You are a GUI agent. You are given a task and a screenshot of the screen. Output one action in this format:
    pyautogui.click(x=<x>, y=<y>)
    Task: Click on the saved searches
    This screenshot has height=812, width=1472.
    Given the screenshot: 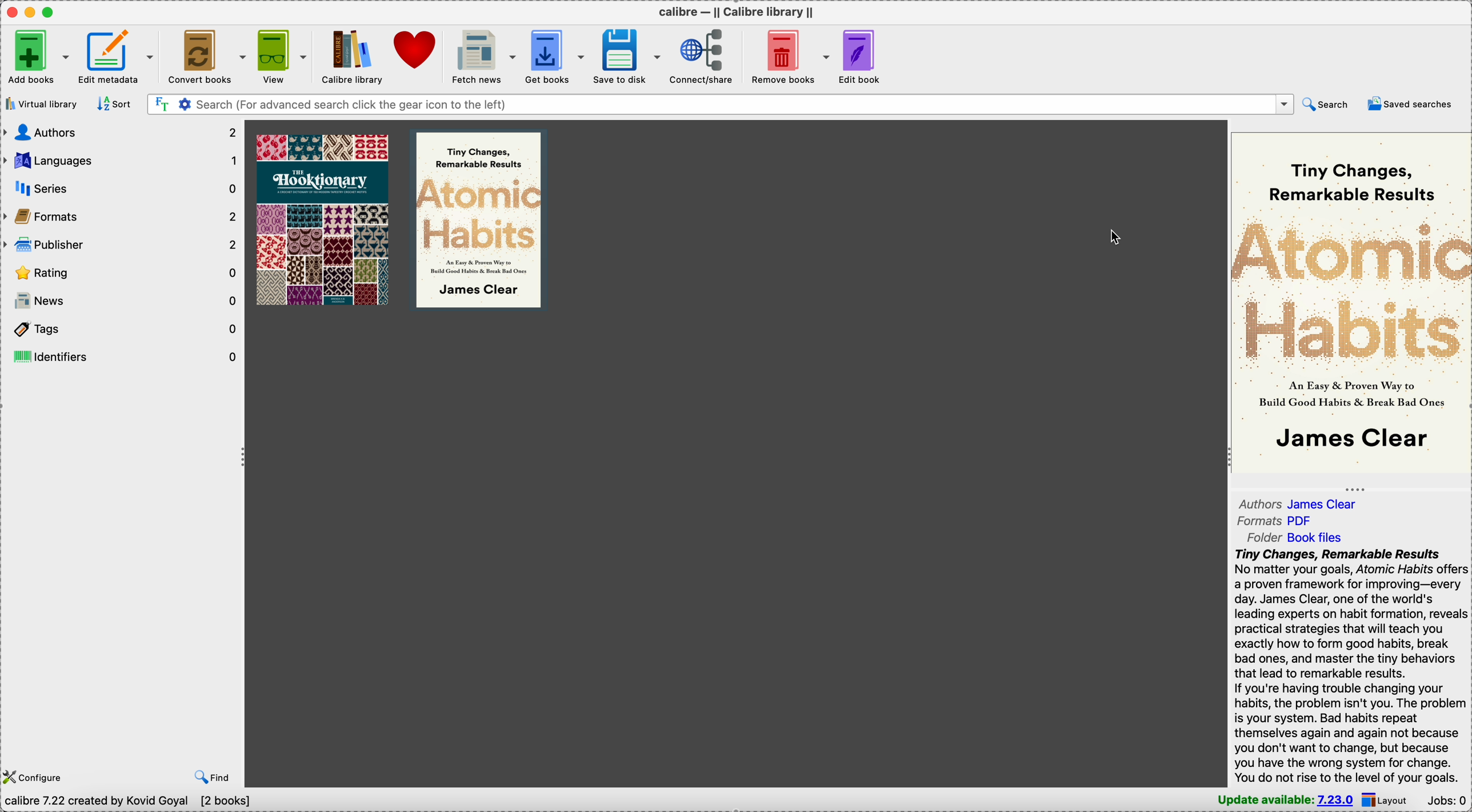 What is the action you would take?
    pyautogui.click(x=1410, y=103)
    